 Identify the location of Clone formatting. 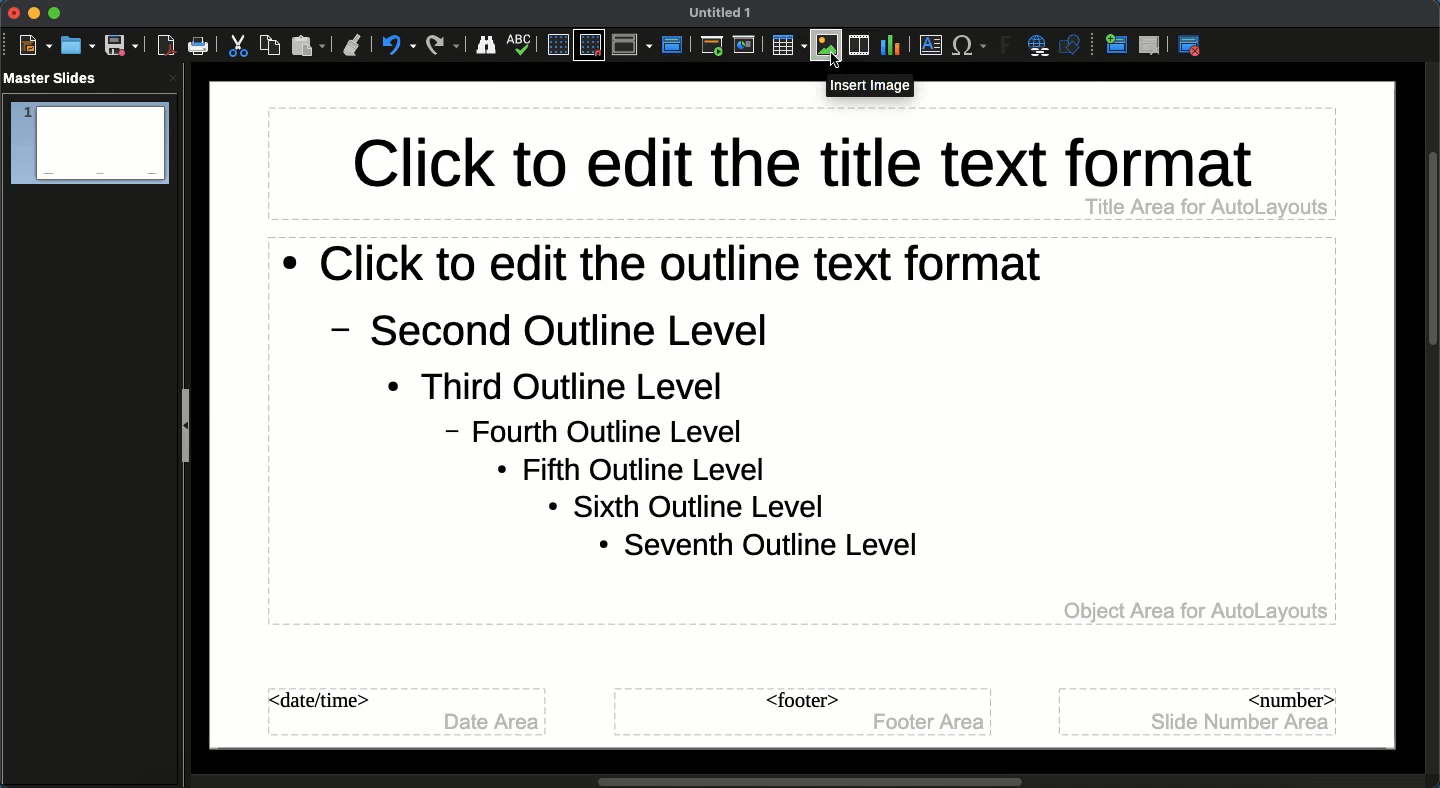
(355, 46).